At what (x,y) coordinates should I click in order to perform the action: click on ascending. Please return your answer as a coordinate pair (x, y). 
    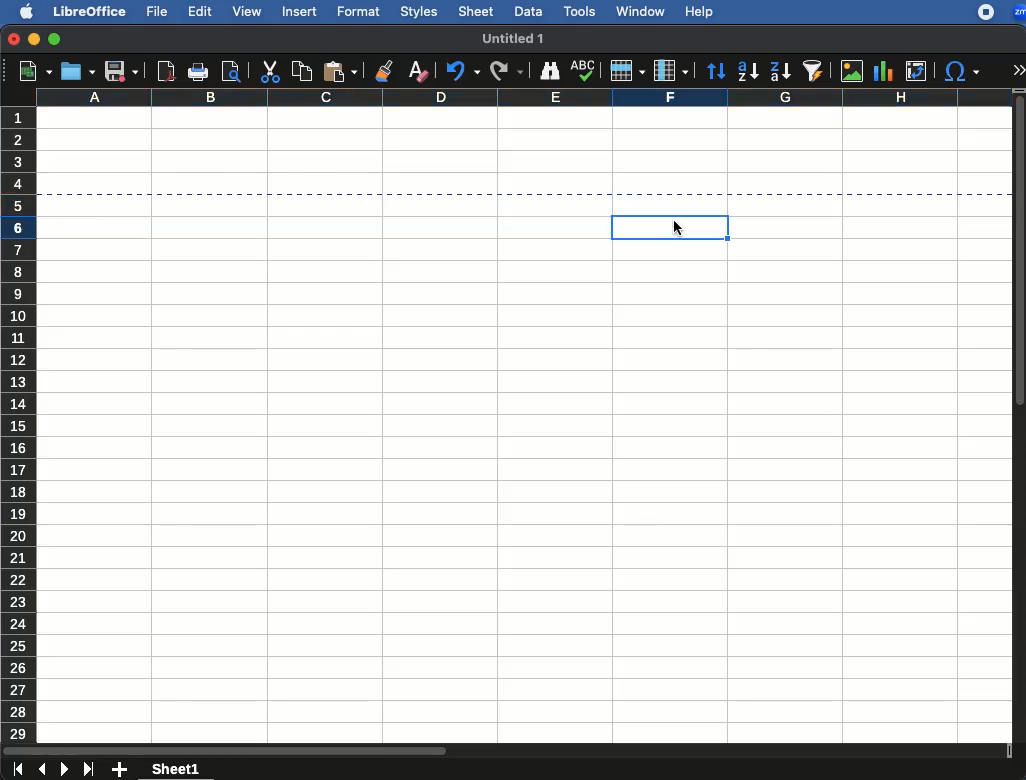
    Looking at the image, I should click on (748, 69).